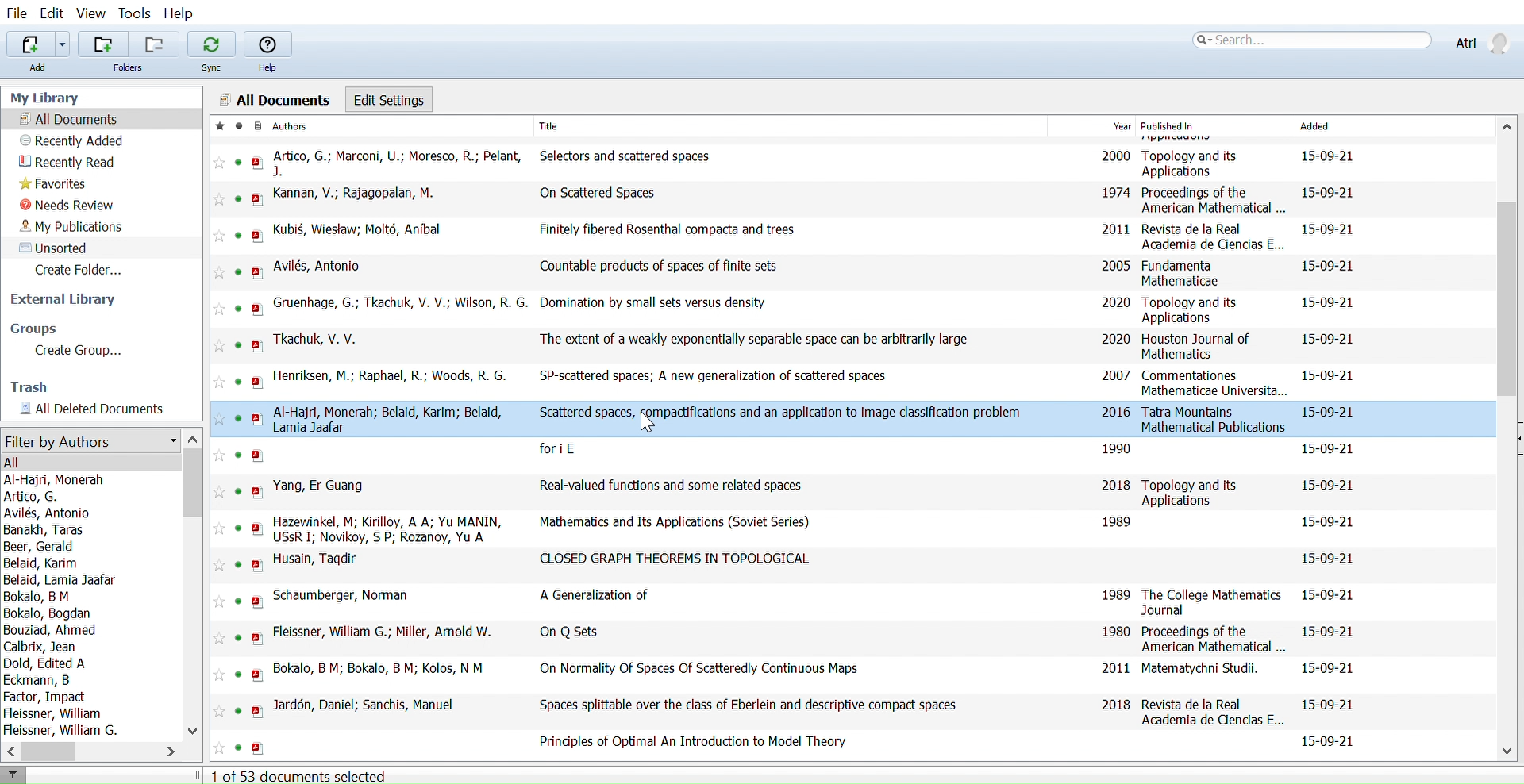 The height and width of the screenshot is (784, 1524). I want to click on Move left, so click(10, 751).